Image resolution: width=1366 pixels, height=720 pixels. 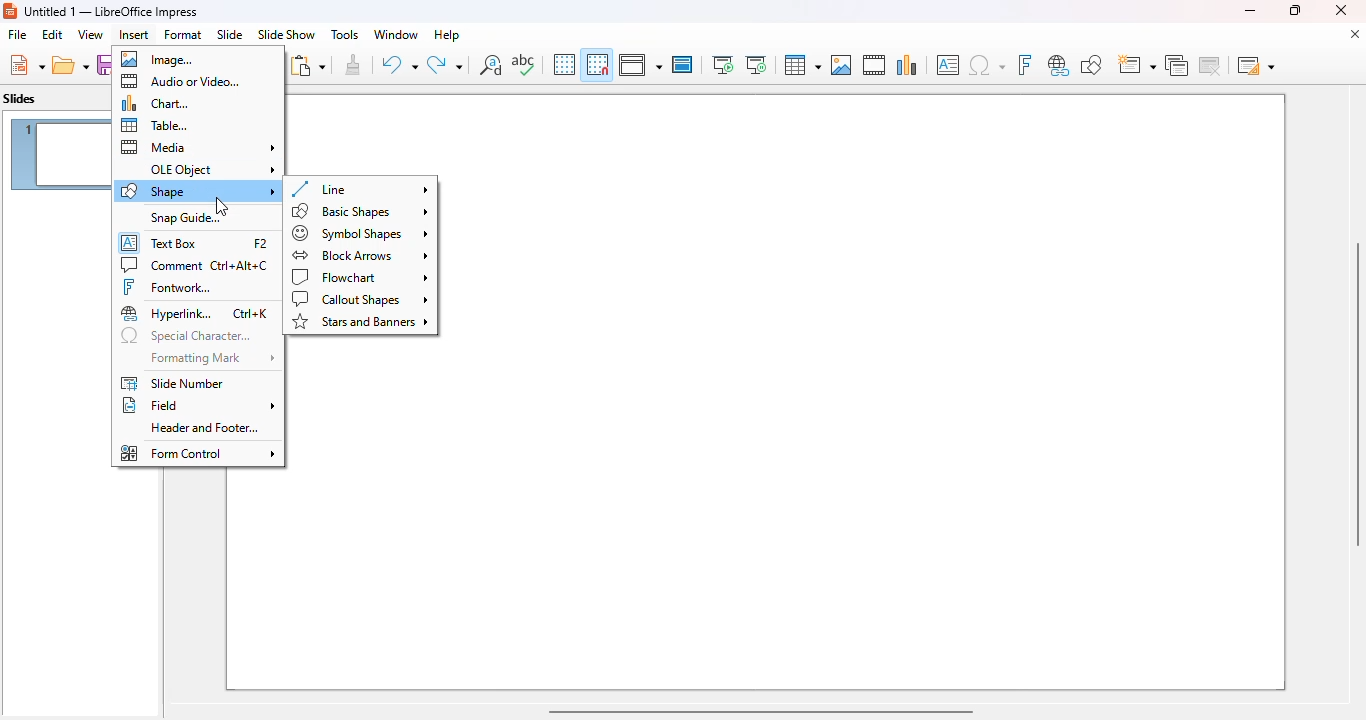 What do you see at coordinates (90, 34) in the screenshot?
I see `view` at bounding box center [90, 34].